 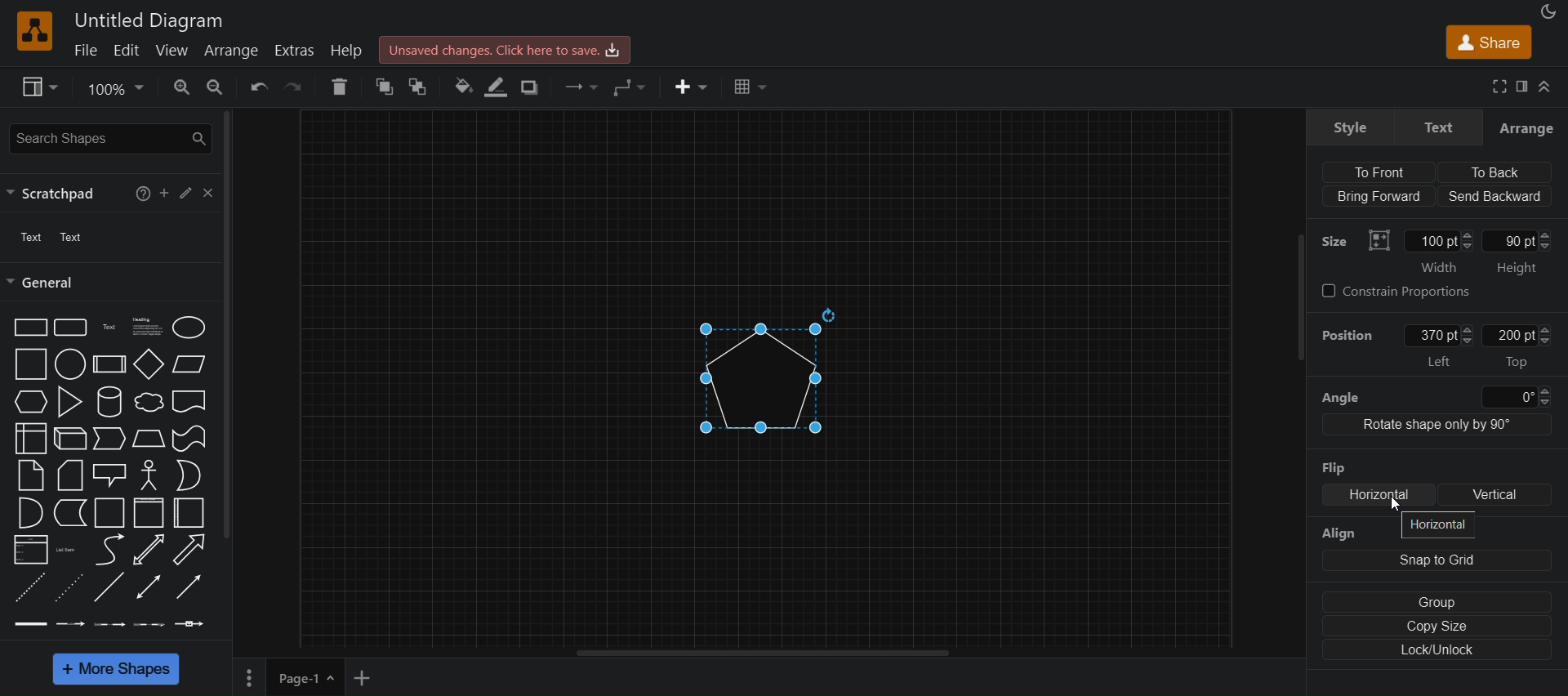 What do you see at coordinates (1437, 560) in the screenshot?
I see `snap to grid` at bounding box center [1437, 560].